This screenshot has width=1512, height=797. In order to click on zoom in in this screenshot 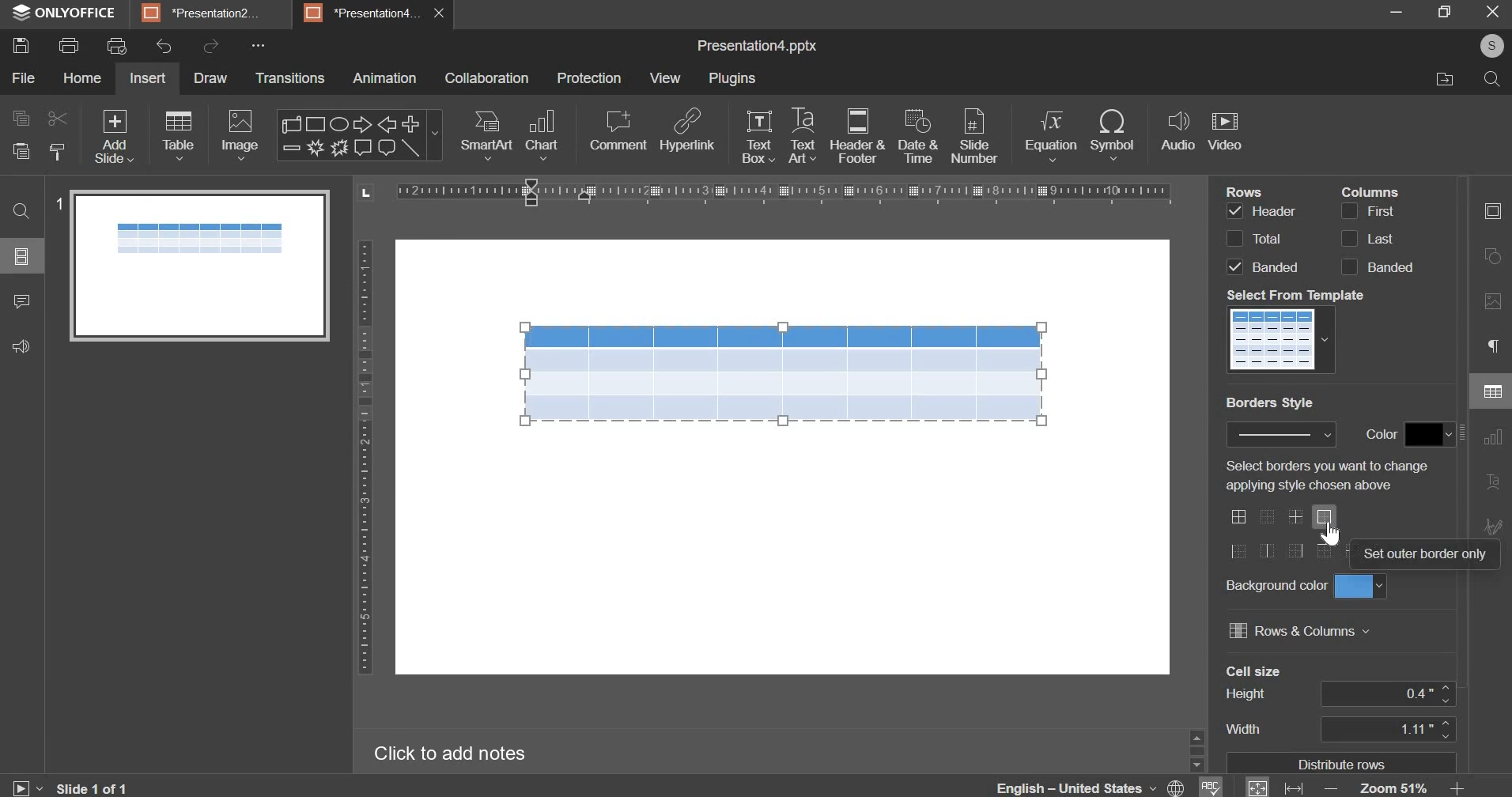, I will do `click(1466, 786)`.